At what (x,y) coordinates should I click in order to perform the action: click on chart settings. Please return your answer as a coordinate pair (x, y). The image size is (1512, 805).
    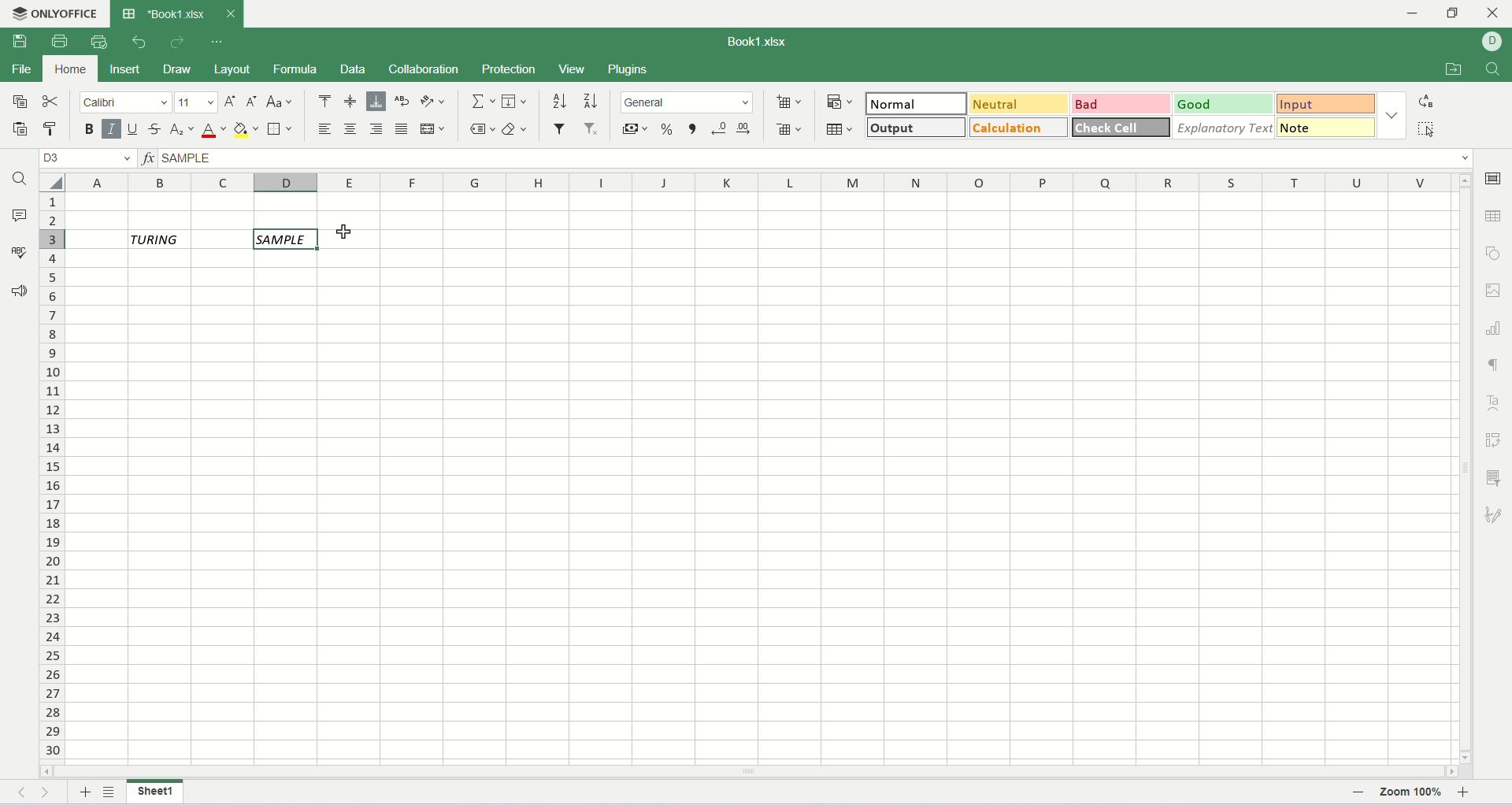
    Looking at the image, I should click on (1495, 328).